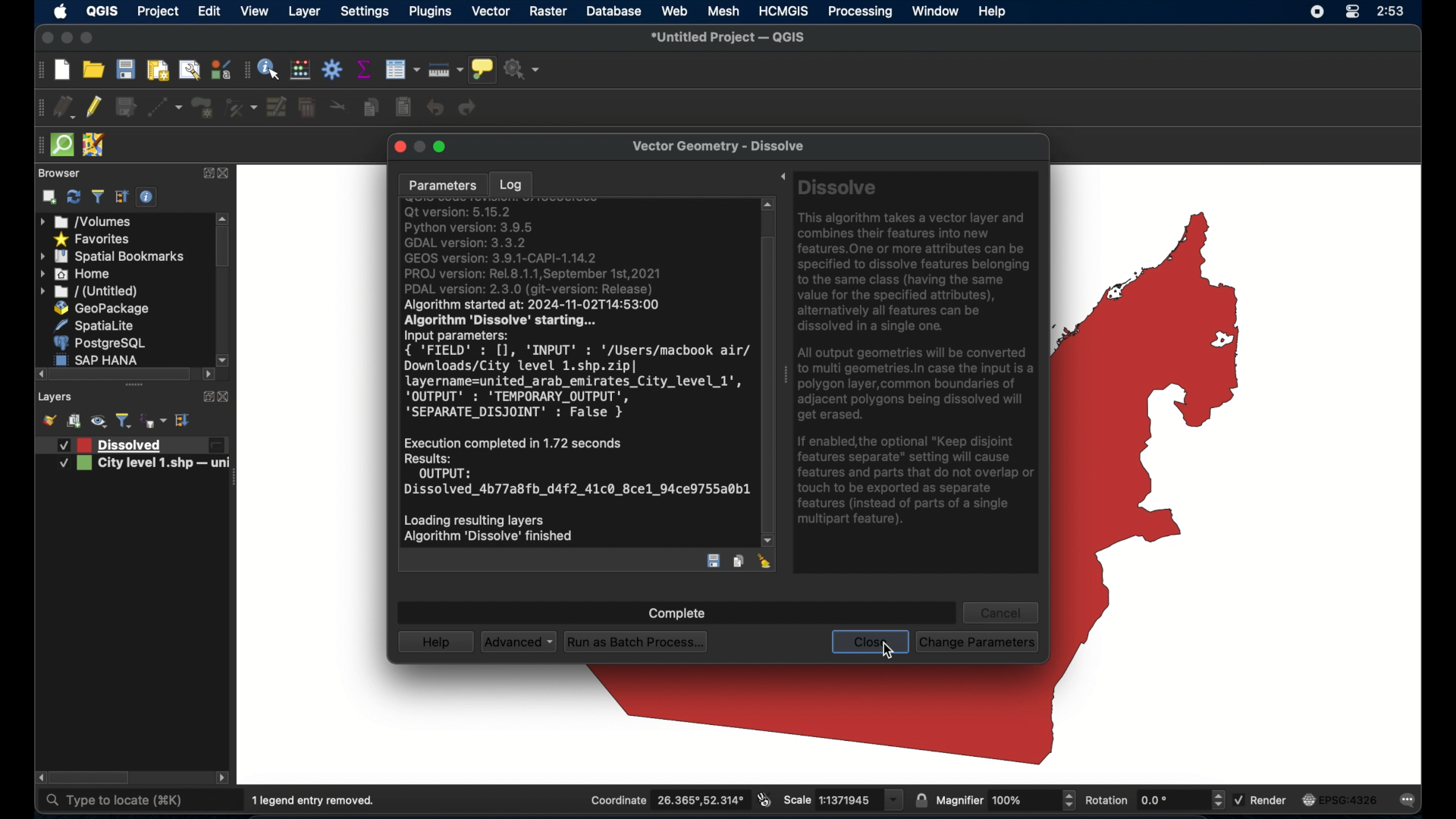 Image resolution: width=1456 pixels, height=819 pixels. Describe the element at coordinates (124, 421) in the screenshot. I see `filter legend` at that location.